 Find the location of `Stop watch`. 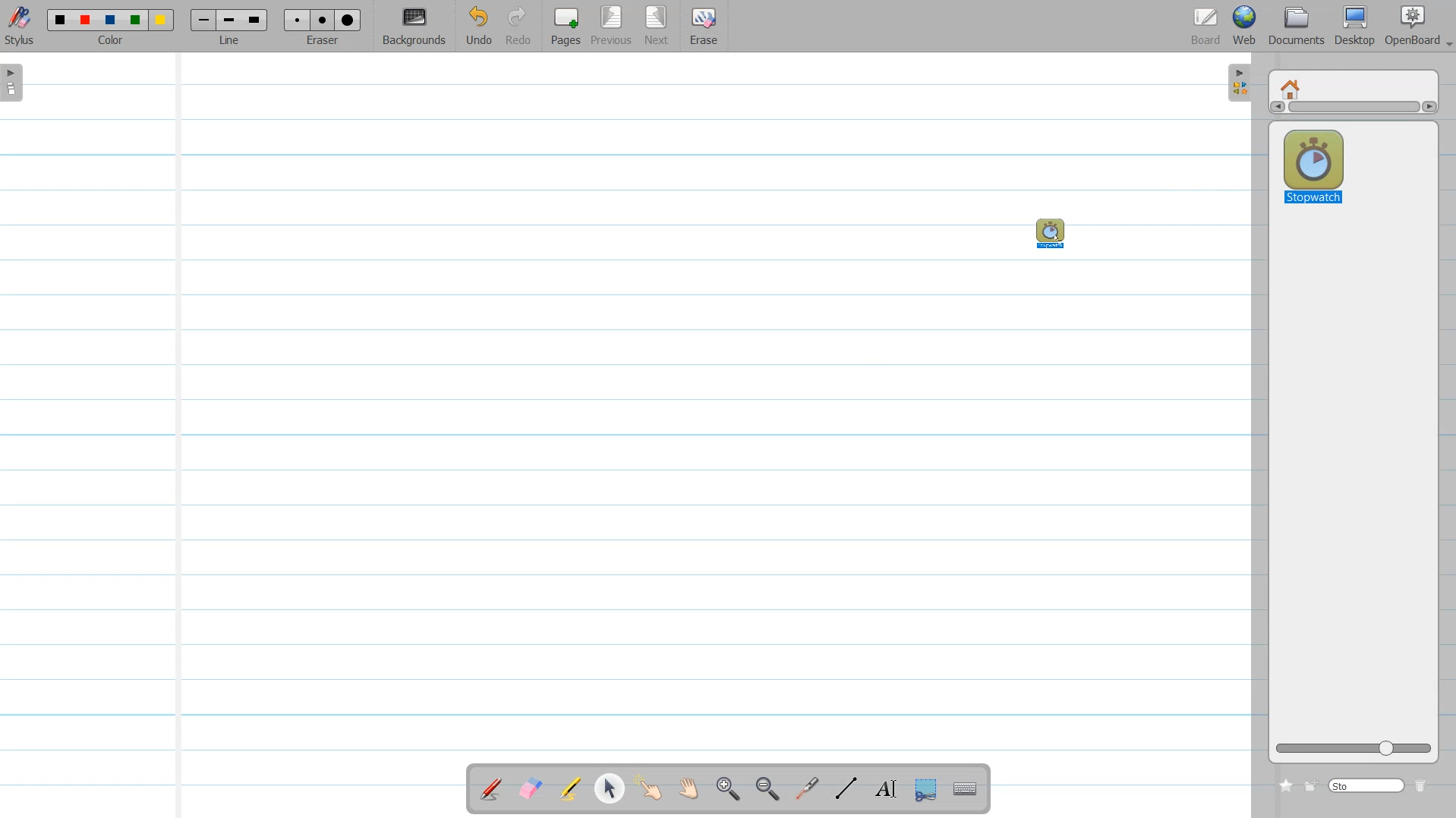

Stop watch is located at coordinates (1313, 162).